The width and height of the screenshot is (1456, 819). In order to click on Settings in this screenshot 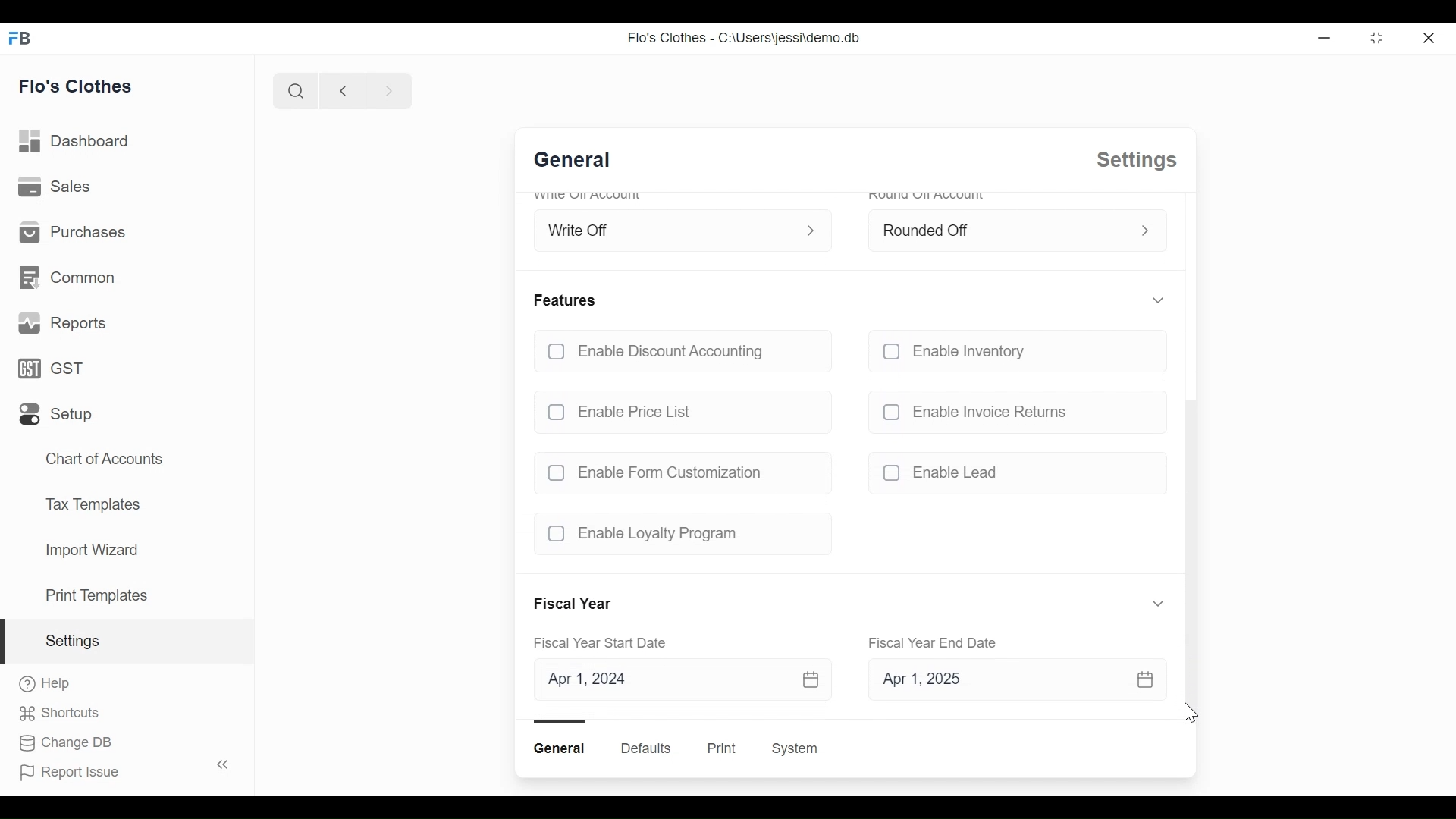, I will do `click(125, 641)`.